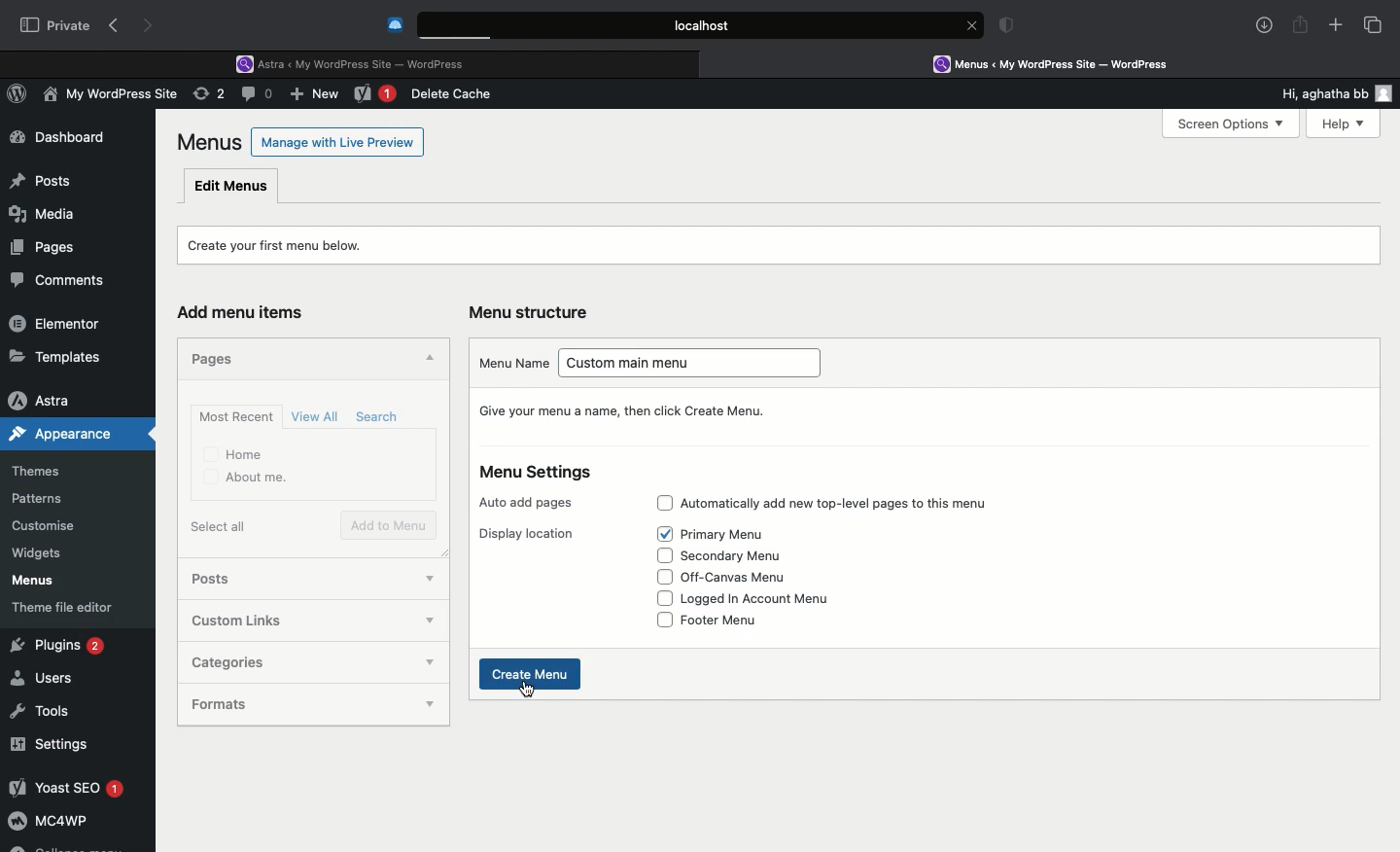 Image resolution: width=1400 pixels, height=852 pixels. Describe the element at coordinates (151, 25) in the screenshot. I see `Forward` at that location.